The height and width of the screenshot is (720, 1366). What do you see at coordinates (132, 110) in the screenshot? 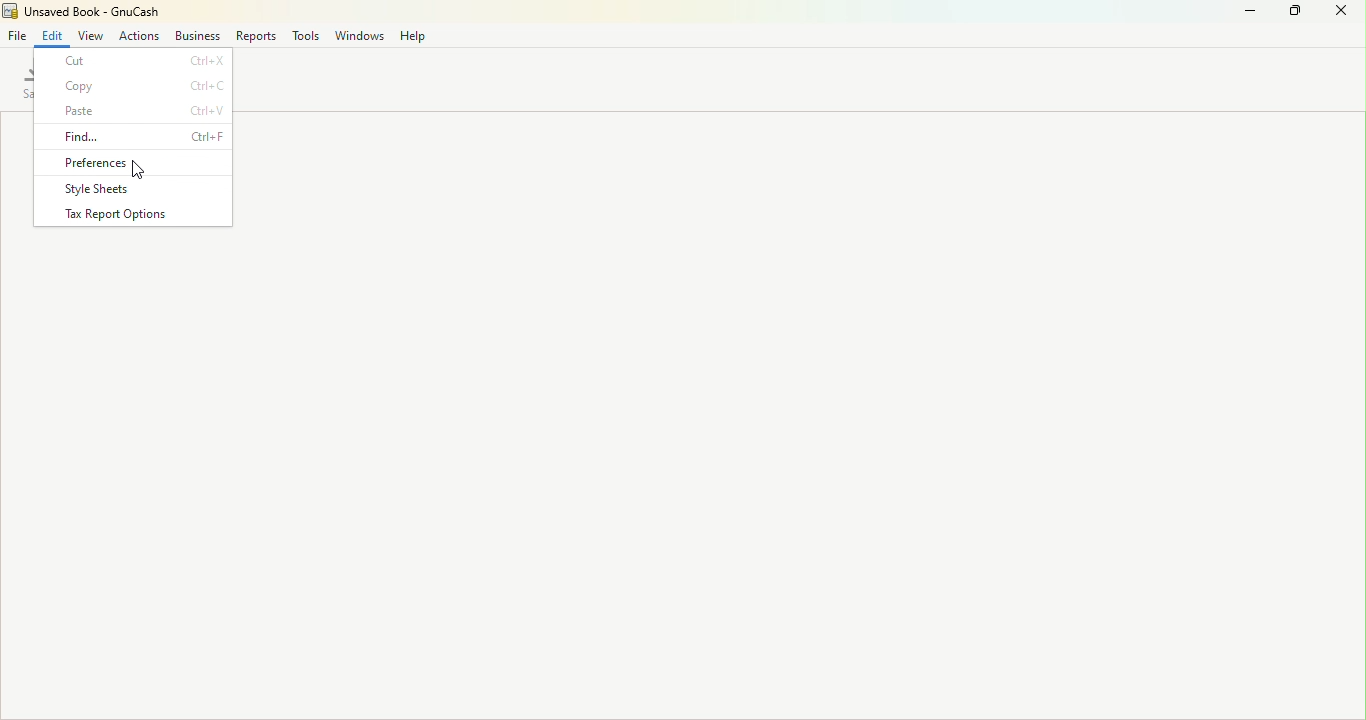
I see `Paste Ctrl+V` at bounding box center [132, 110].